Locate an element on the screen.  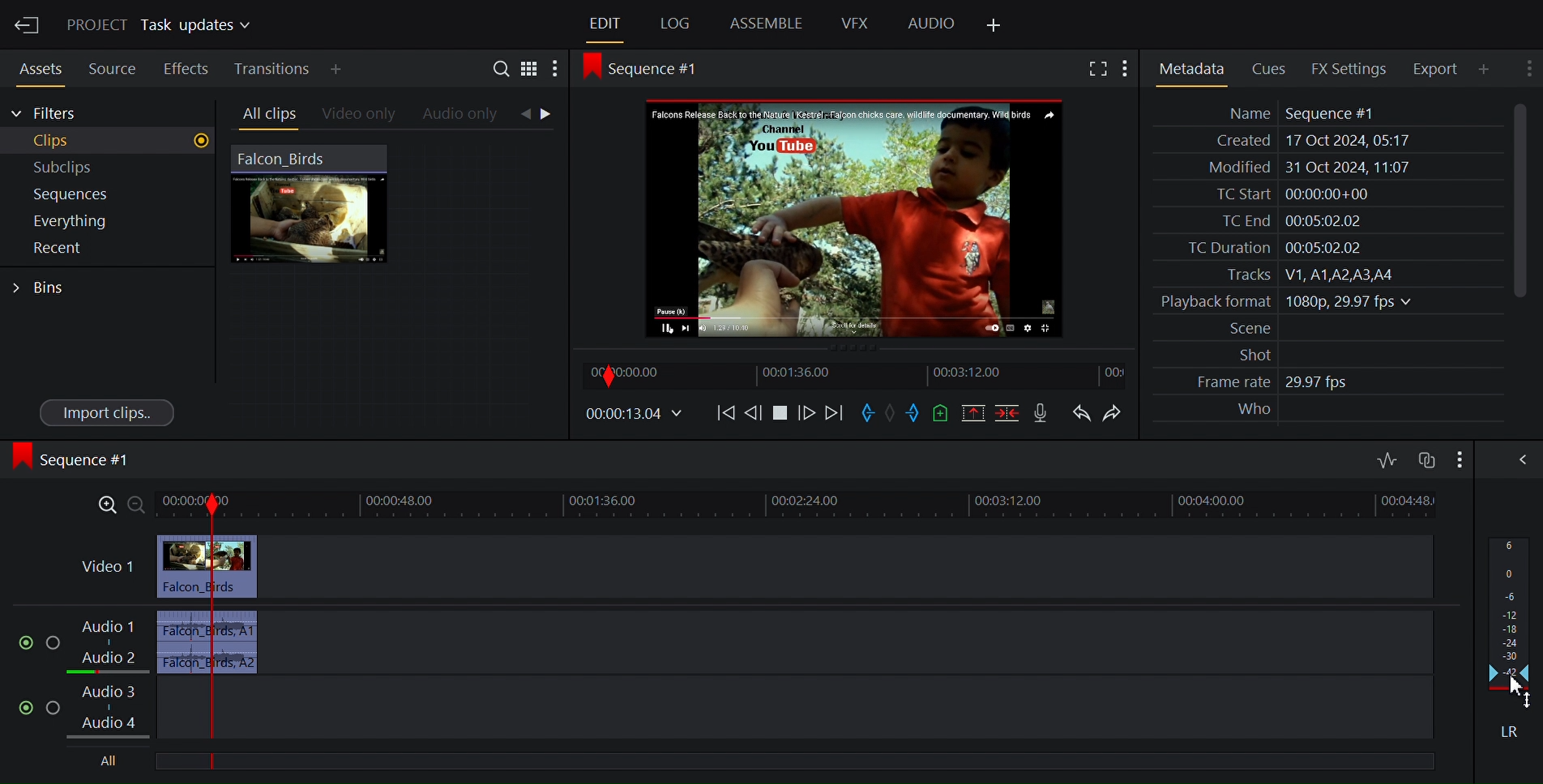
Cues is located at coordinates (1267, 68).